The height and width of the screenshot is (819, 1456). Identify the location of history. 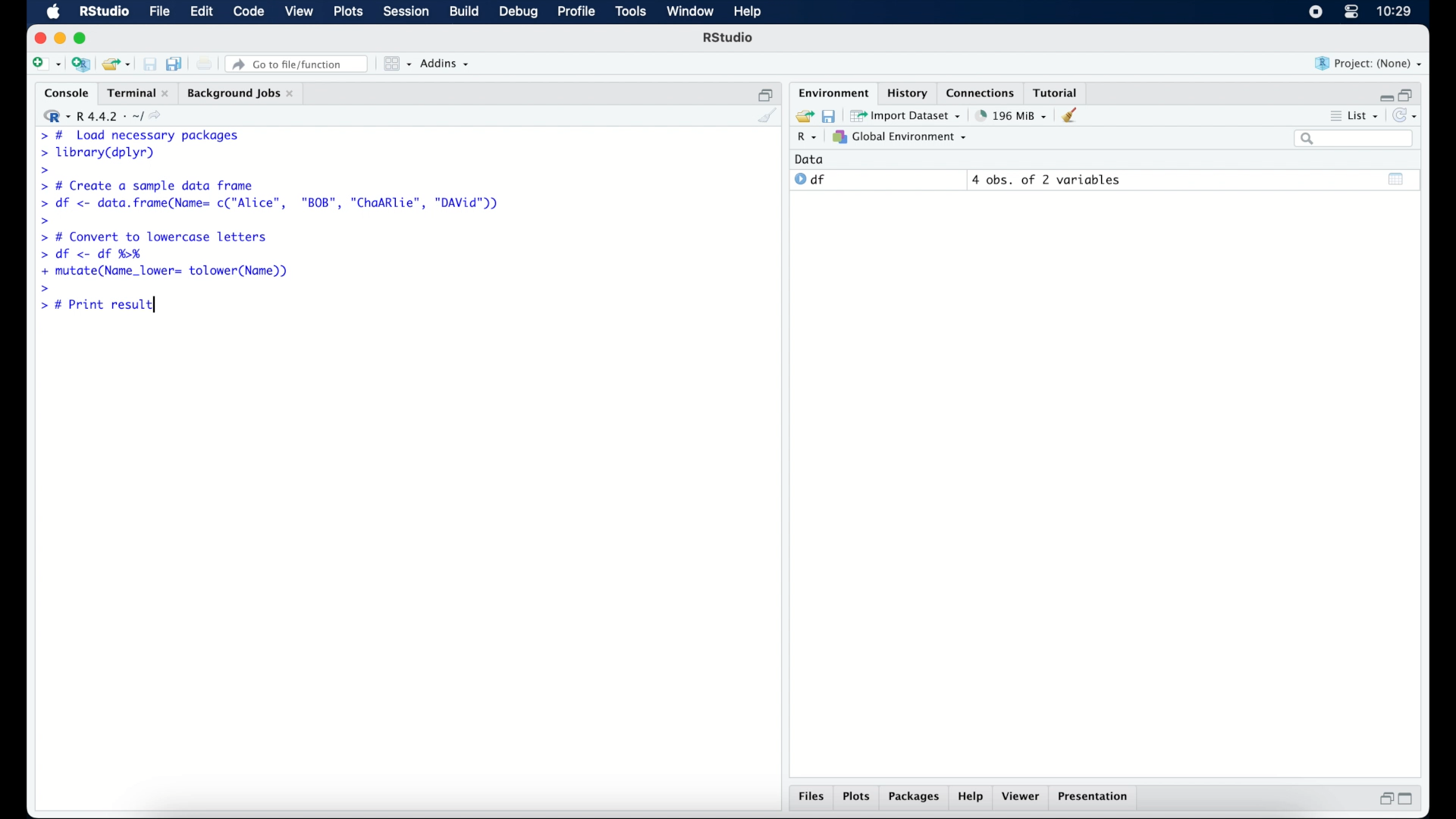
(906, 92).